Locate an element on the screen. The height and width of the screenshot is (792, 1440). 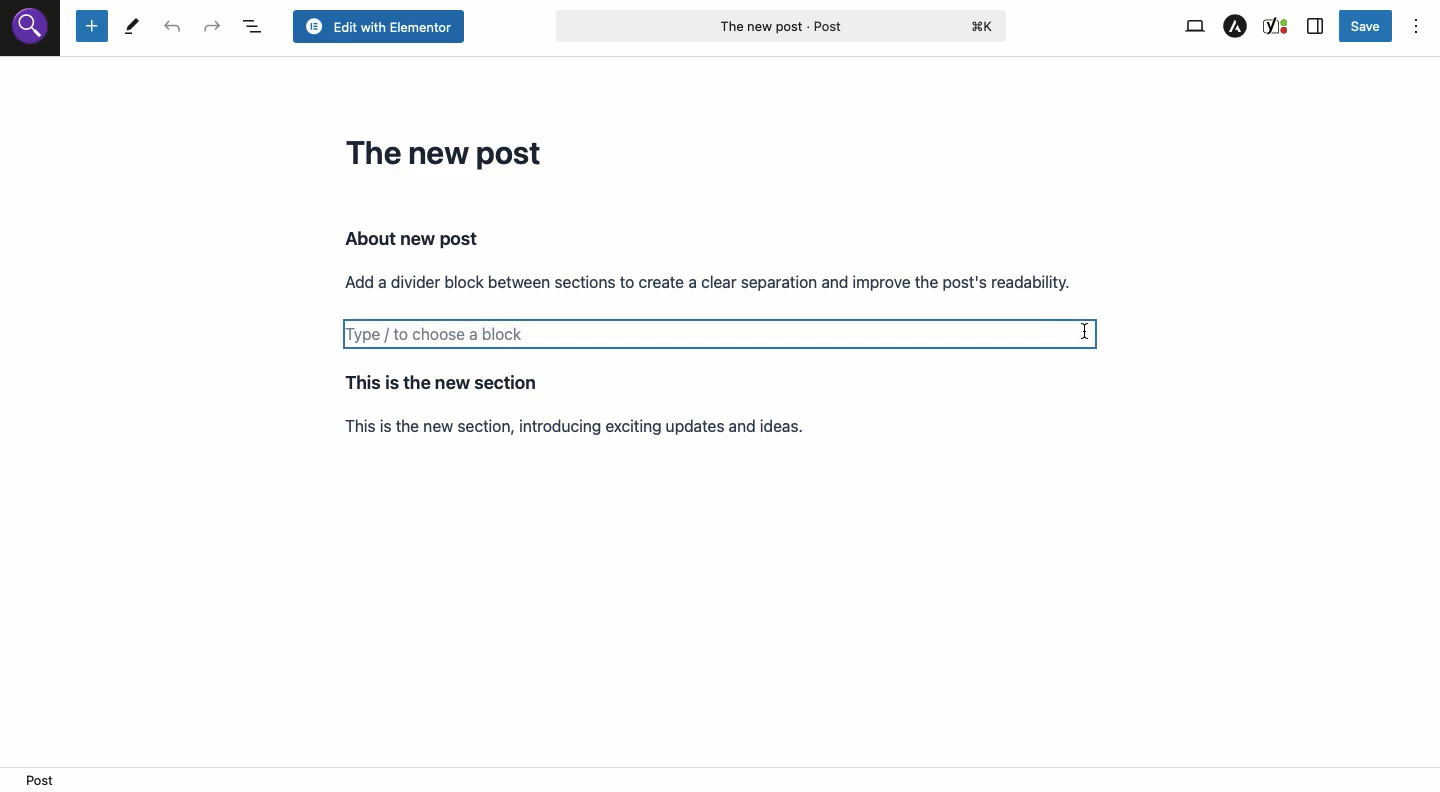
Headline is located at coordinates (449, 152).